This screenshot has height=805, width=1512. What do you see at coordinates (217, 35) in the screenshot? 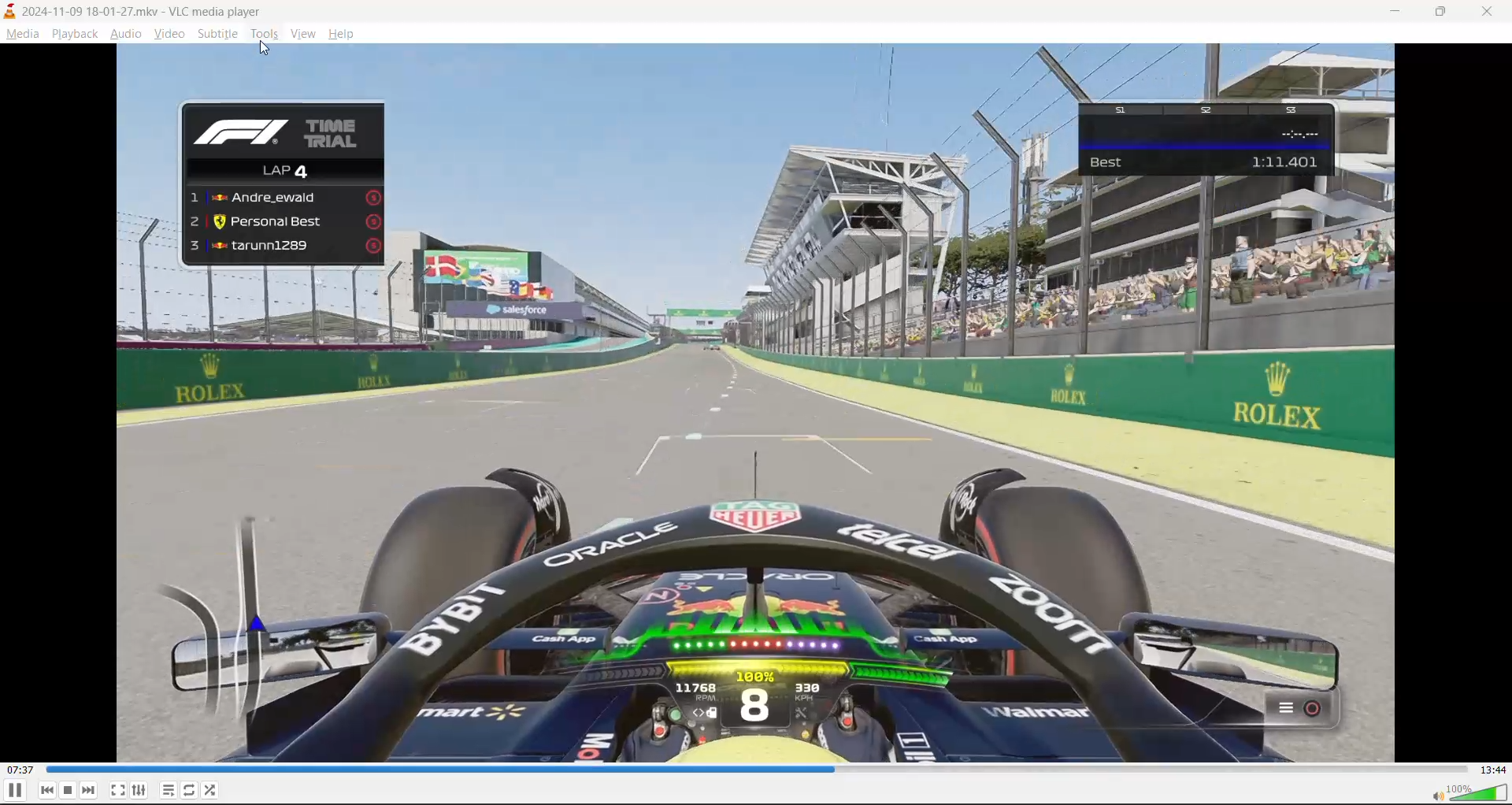
I see `subtitle` at bounding box center [217, 35].